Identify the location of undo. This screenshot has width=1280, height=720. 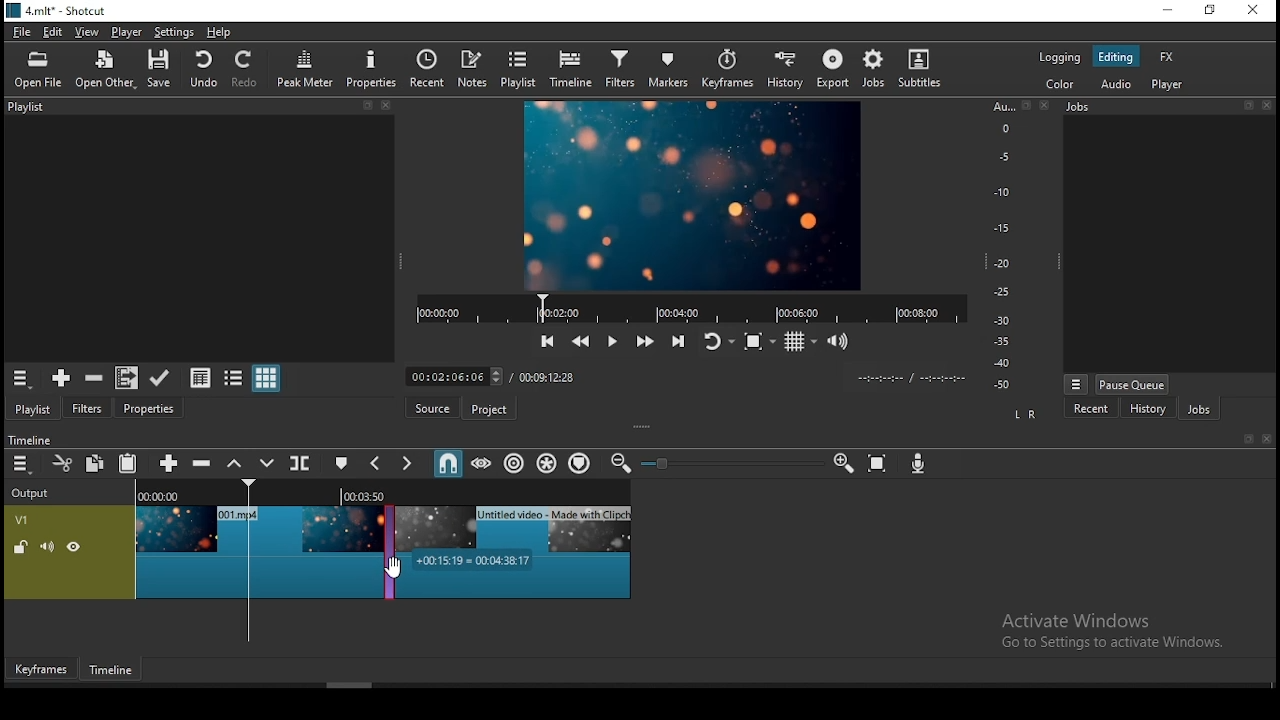
(203, 68).